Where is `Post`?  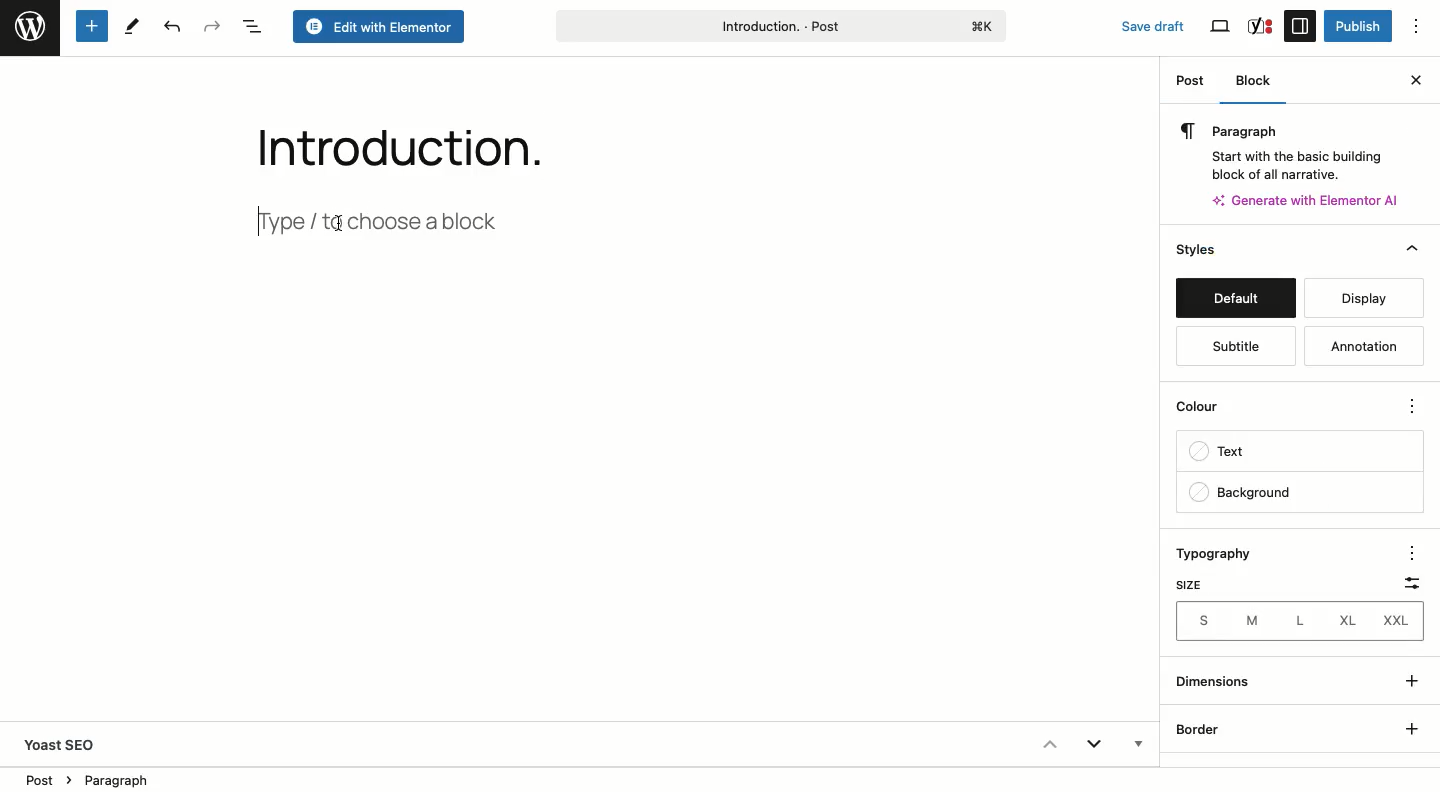
Post is located at coordinates (1192, 84).